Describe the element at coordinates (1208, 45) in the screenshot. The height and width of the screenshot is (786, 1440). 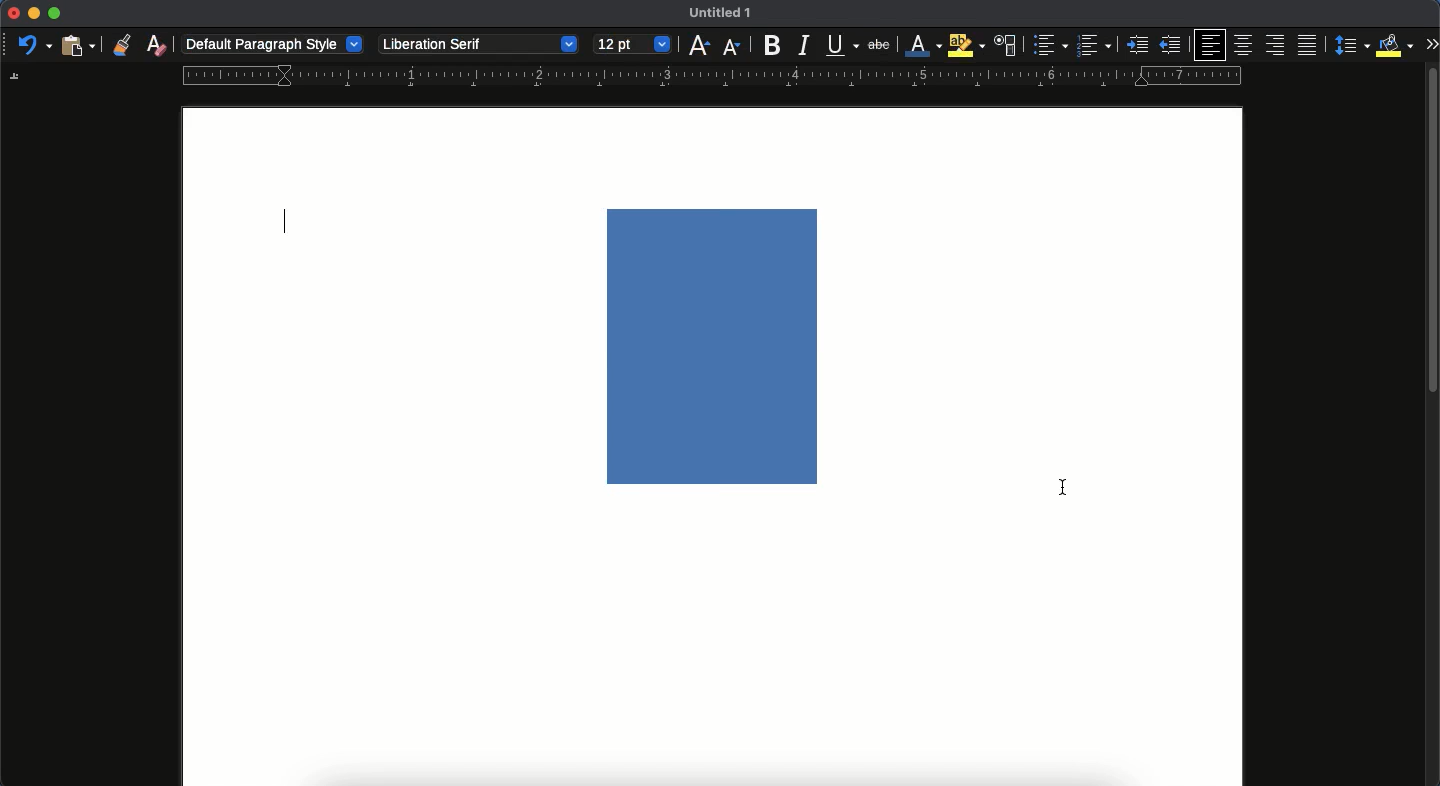
I see `left aligned` at that location.